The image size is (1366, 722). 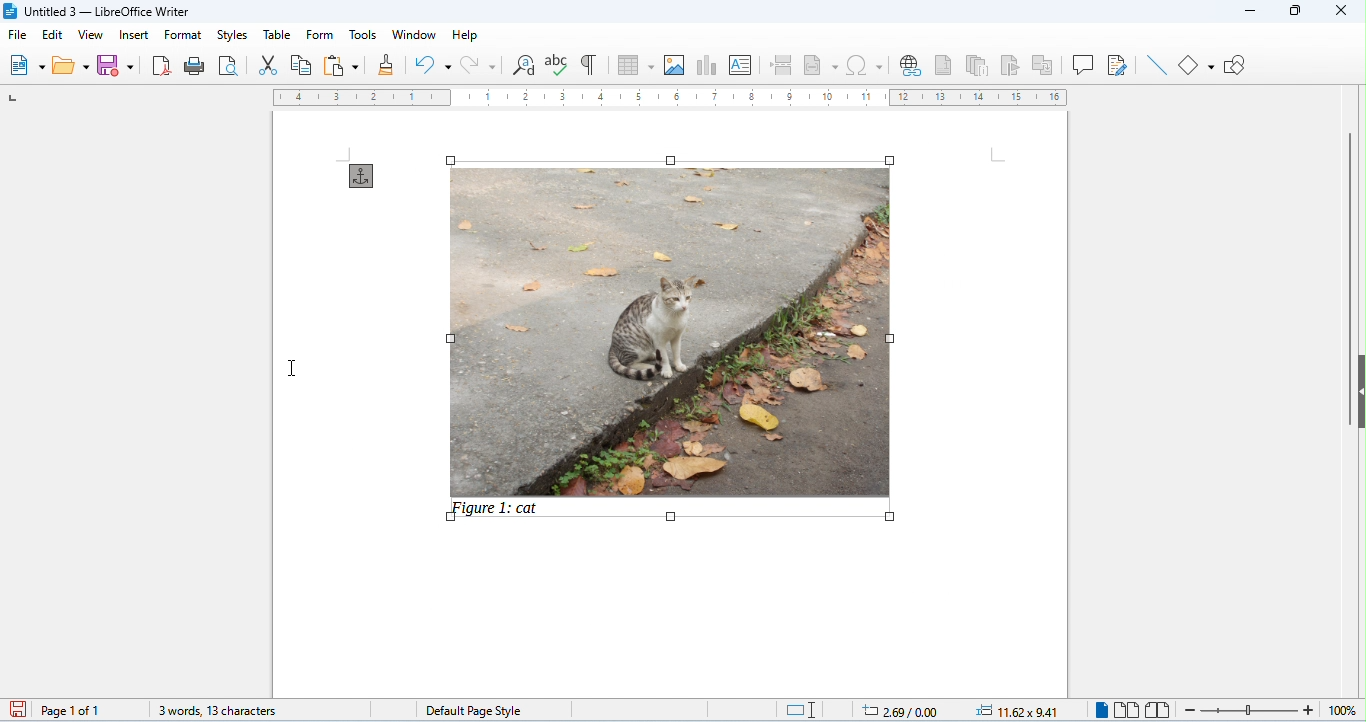 I want to click on show track changes, so click(x=1118, y=65).